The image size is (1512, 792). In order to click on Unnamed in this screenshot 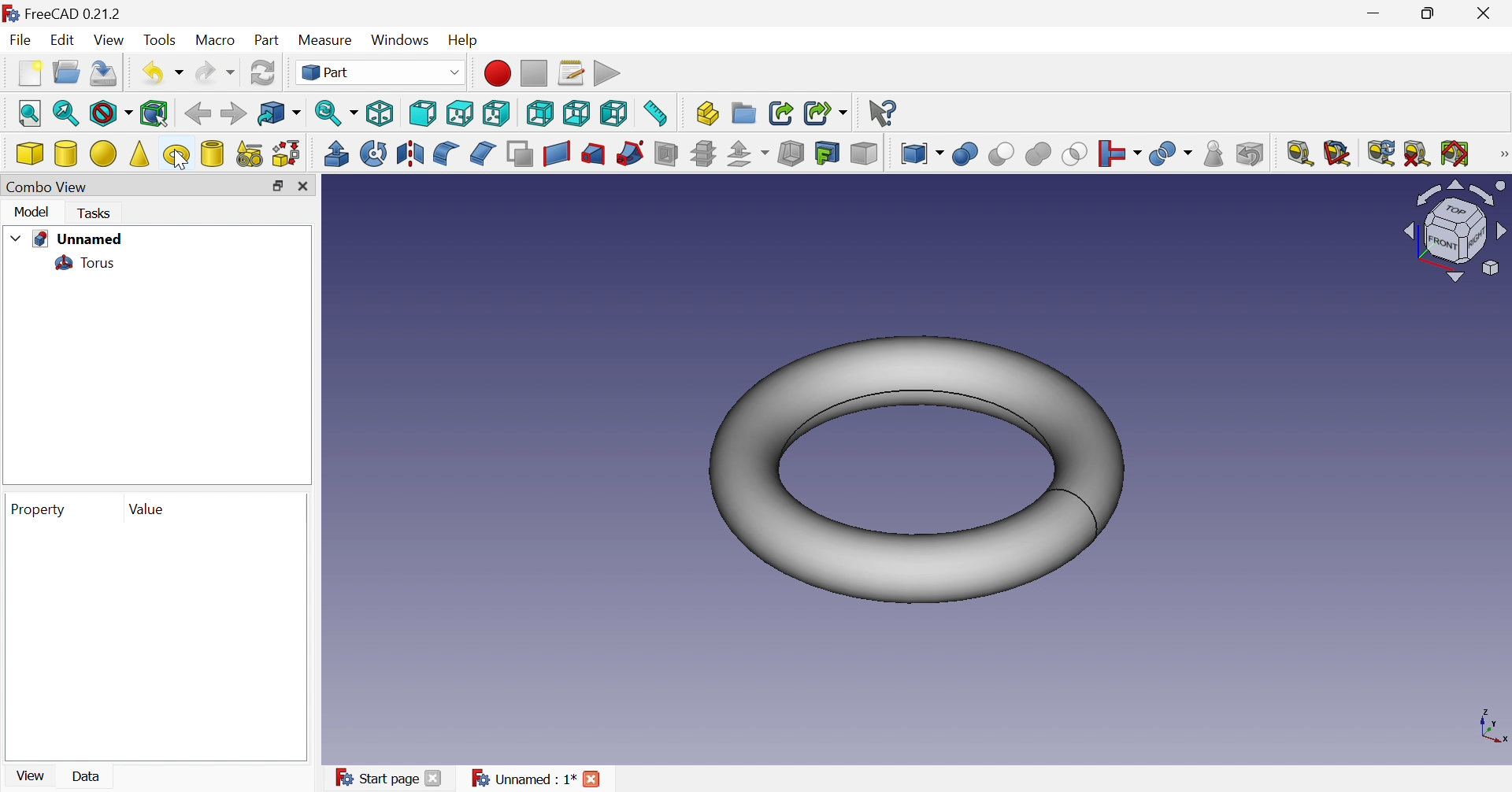, I will do `click(77, 239)`.